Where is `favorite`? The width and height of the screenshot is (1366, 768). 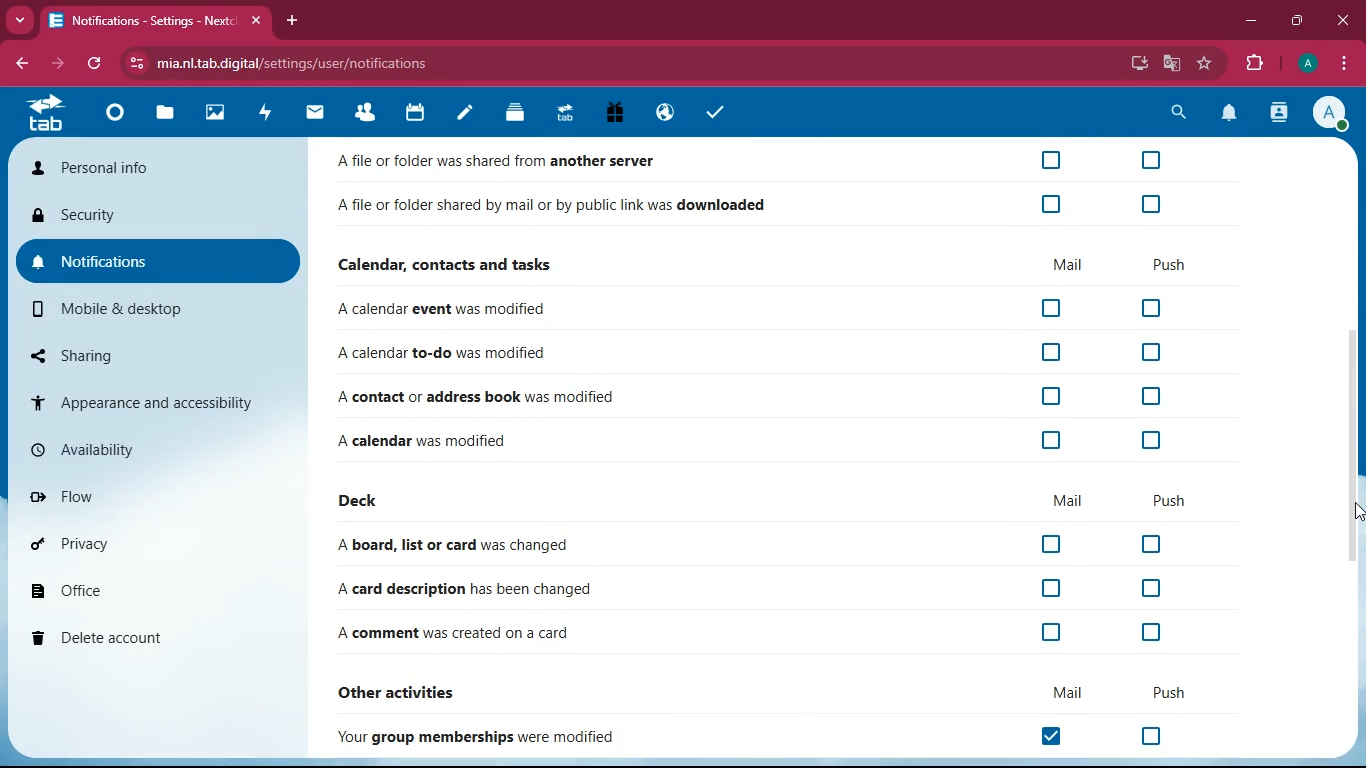 favorite is located at coordinates (1204, 64).